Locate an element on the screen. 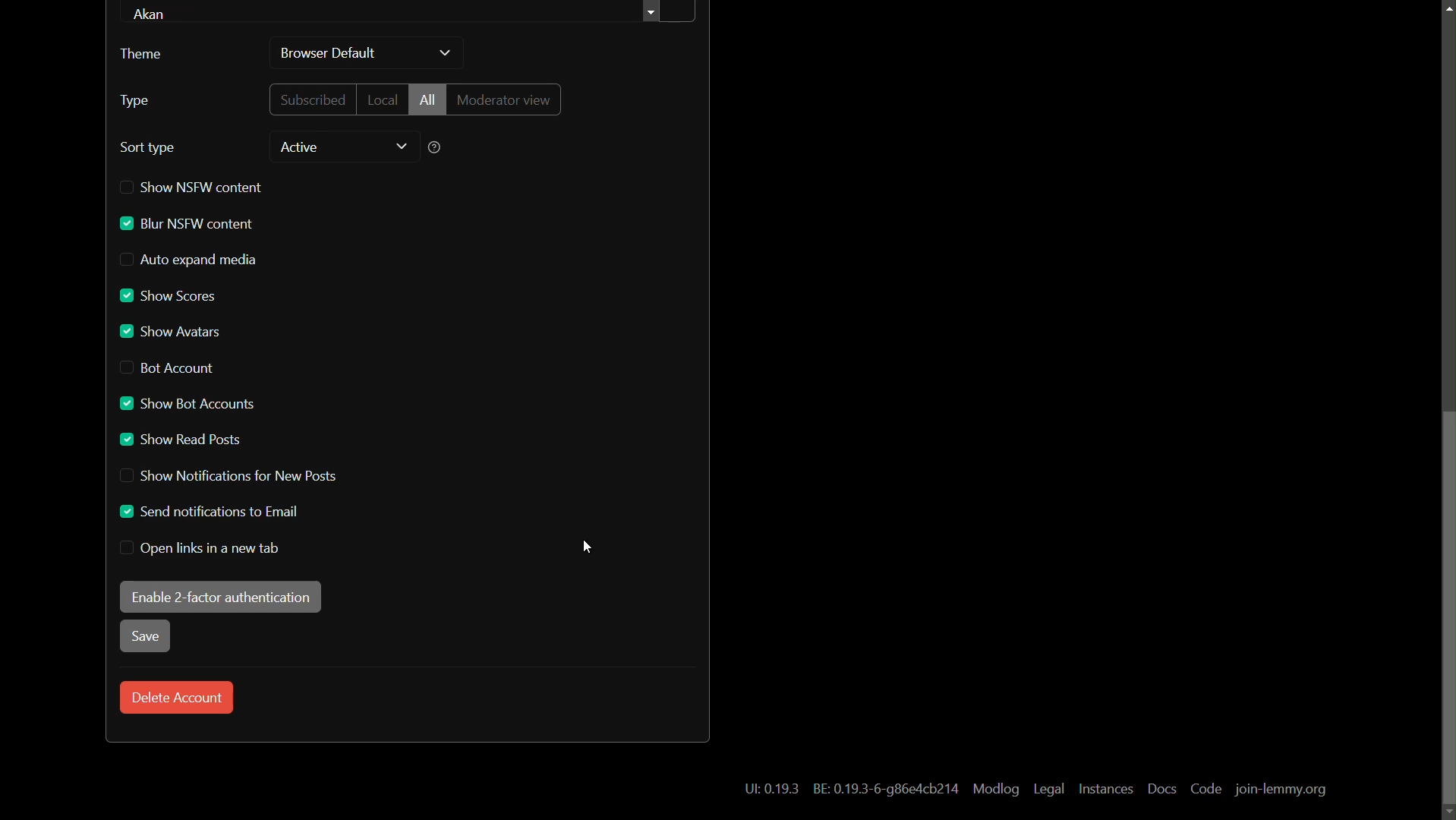  dropdown is located at coordinates (401, 147).